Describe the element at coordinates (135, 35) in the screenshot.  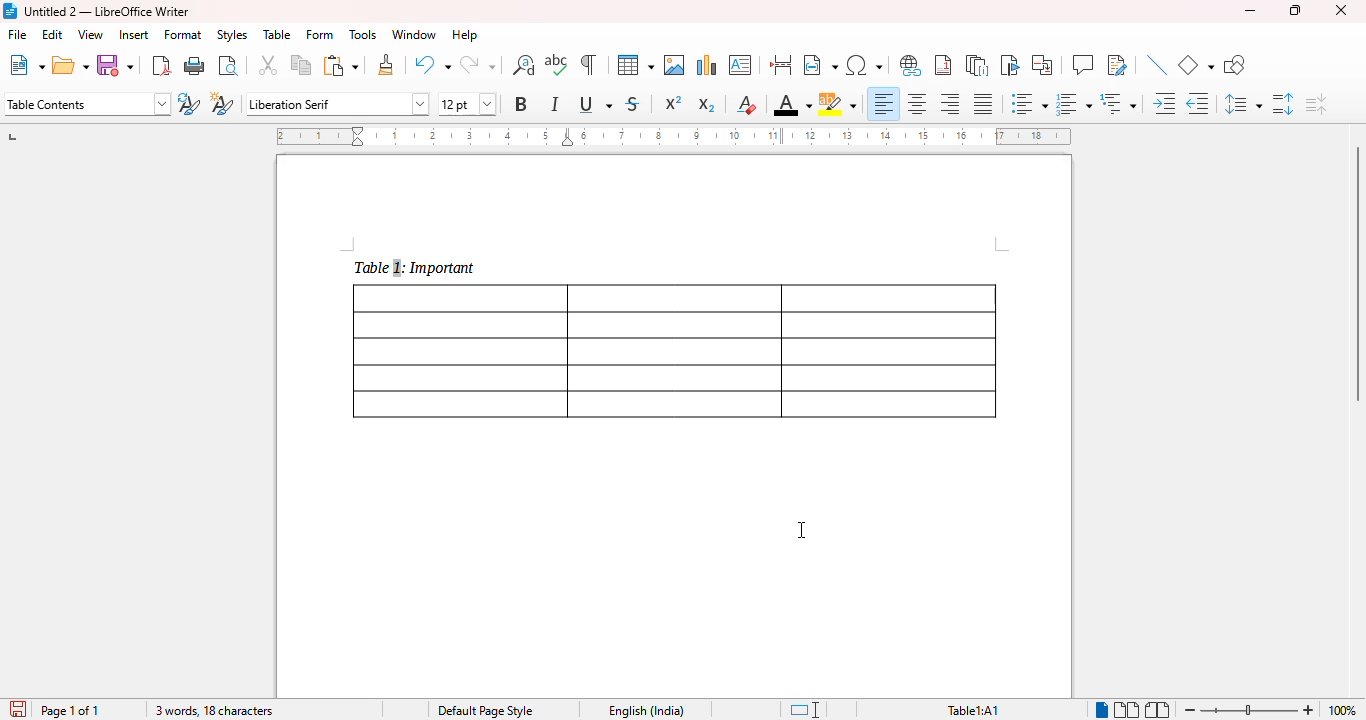
I see `insert` at that location.